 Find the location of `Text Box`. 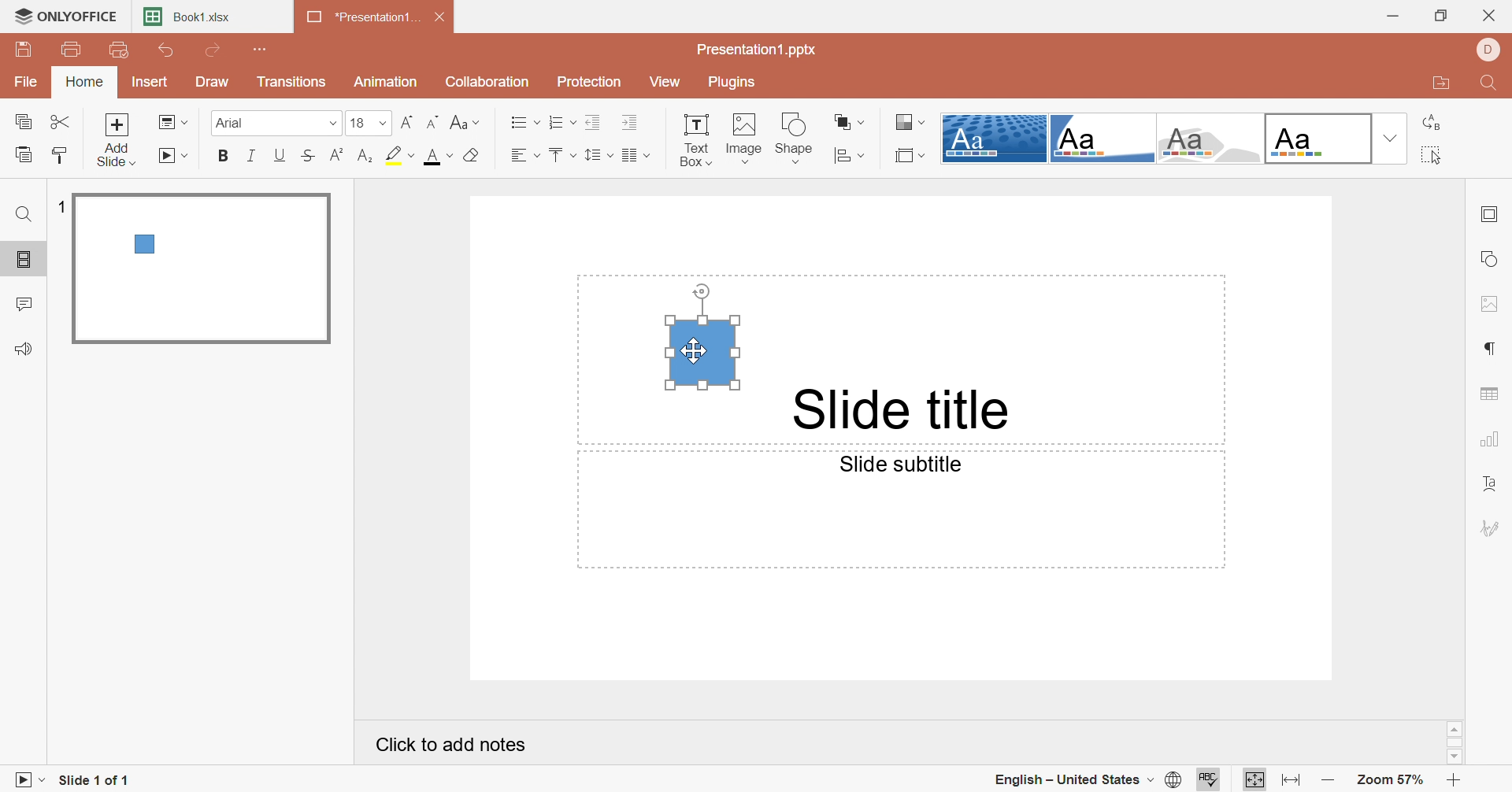

Text Box is located at coordinates (697, 142).